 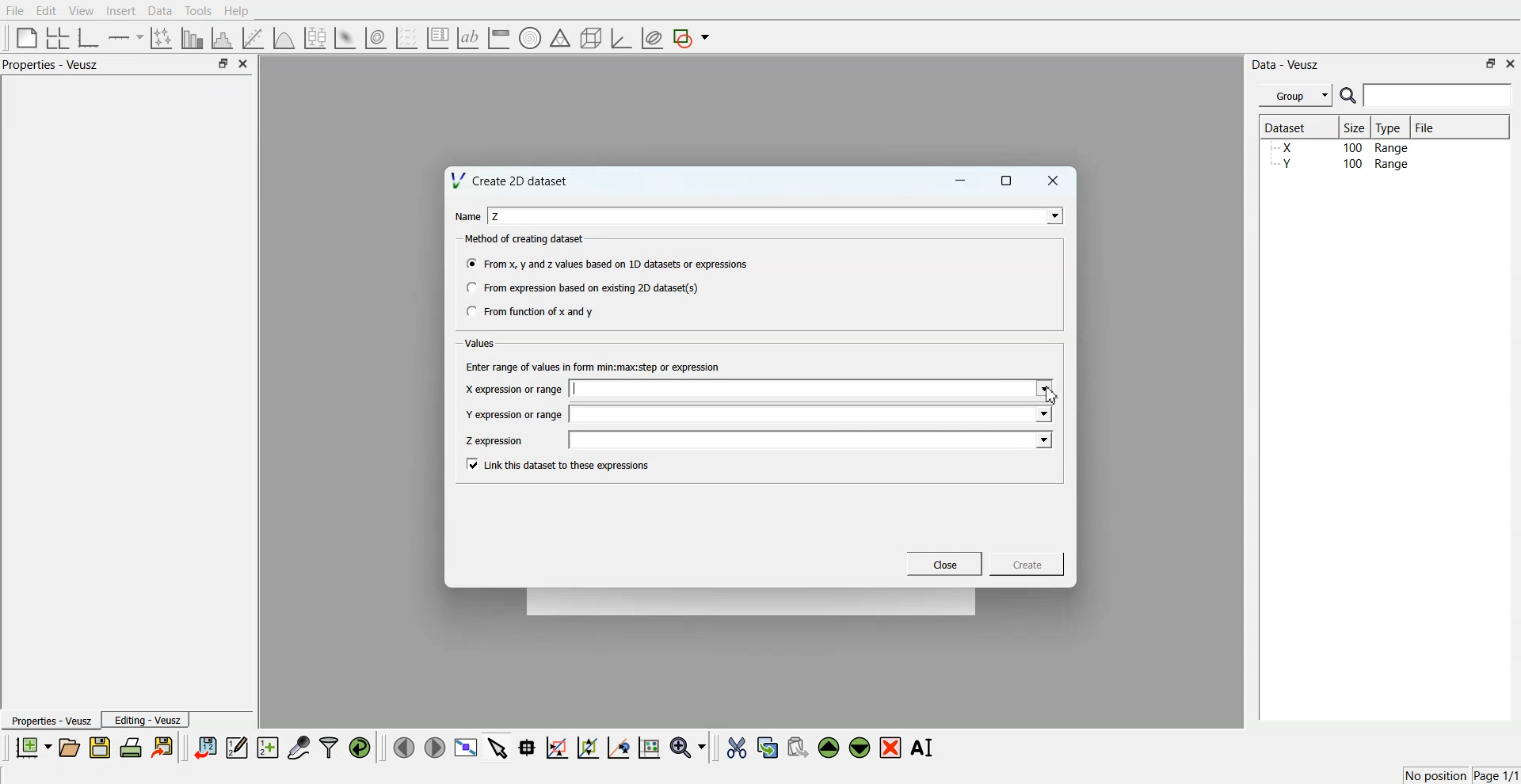 I want to click on Cut the selected widget, so click(x=737, y=748).